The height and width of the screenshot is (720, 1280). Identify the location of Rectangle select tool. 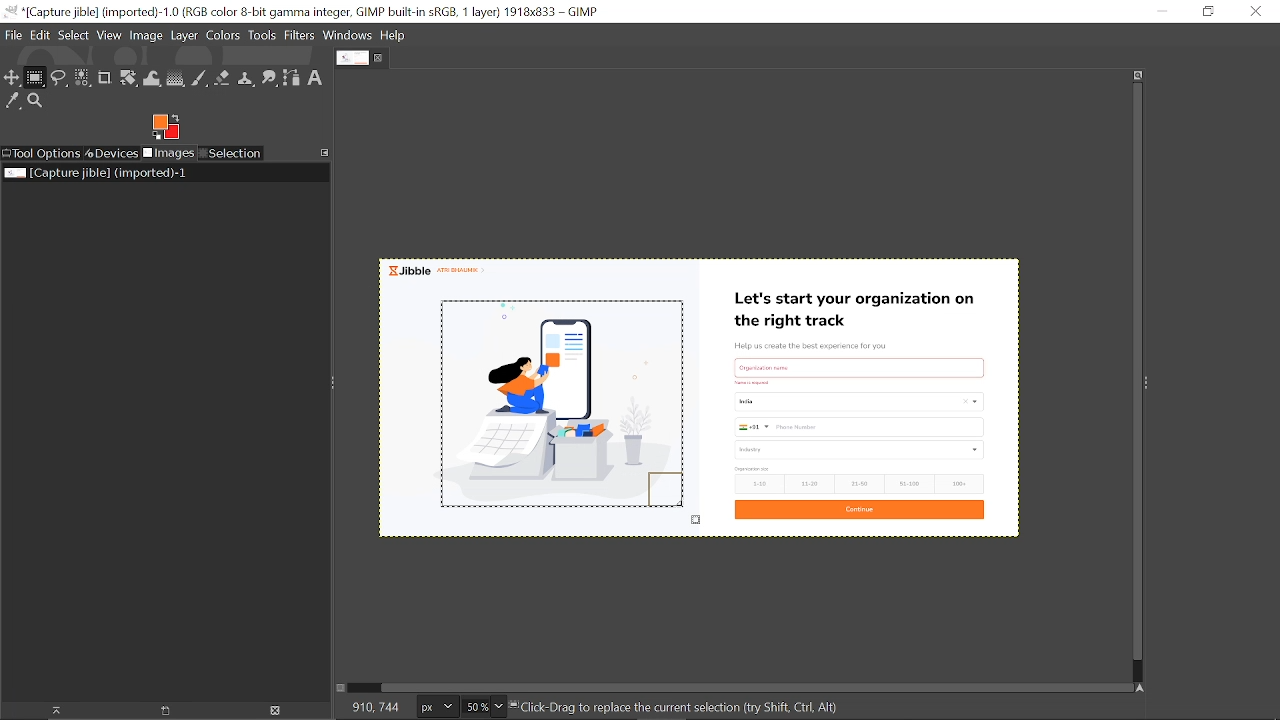
(36, 79).